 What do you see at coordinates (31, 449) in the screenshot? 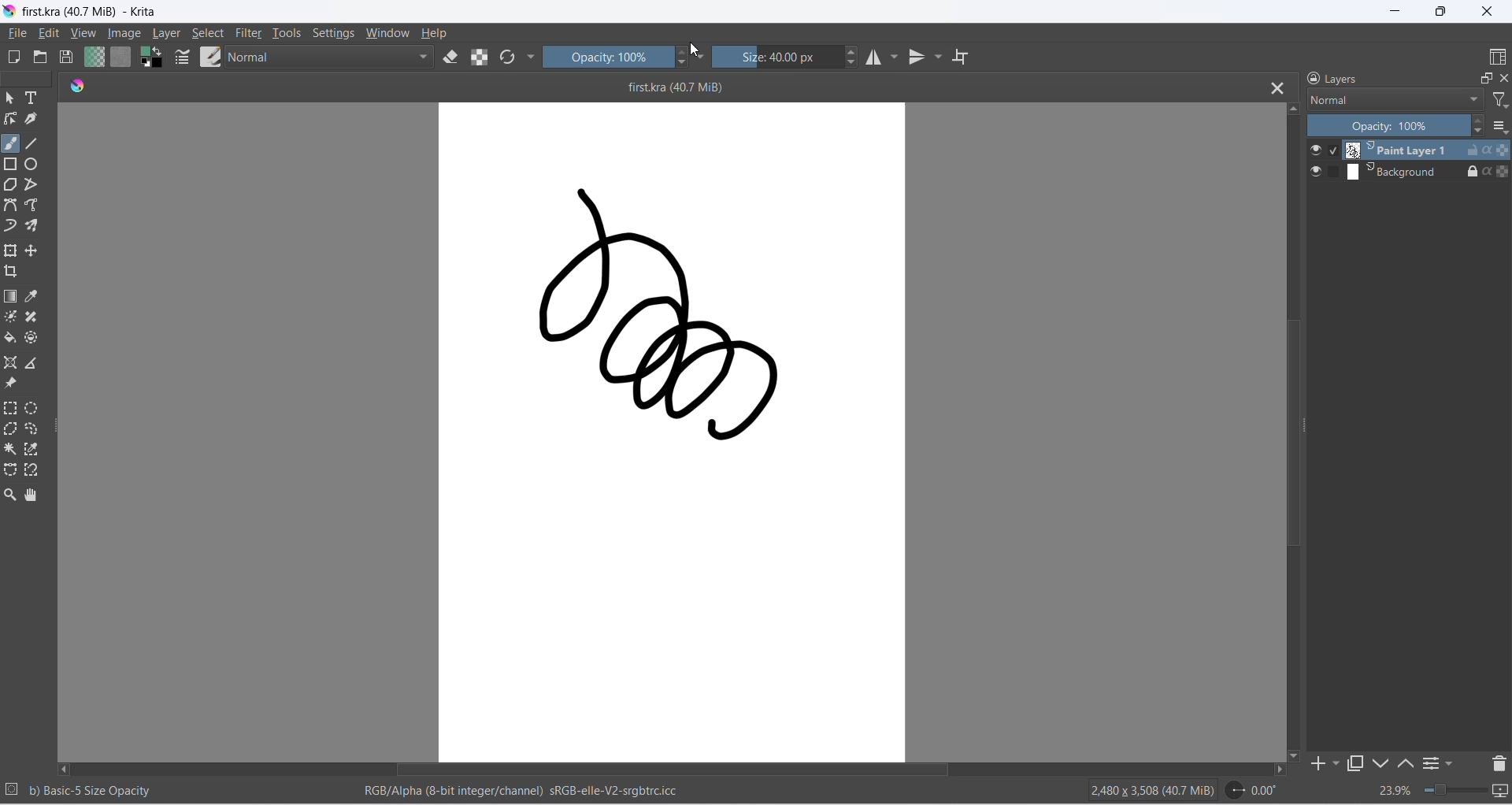
I see `similar color selection tool` at bounding box center [31, 449].